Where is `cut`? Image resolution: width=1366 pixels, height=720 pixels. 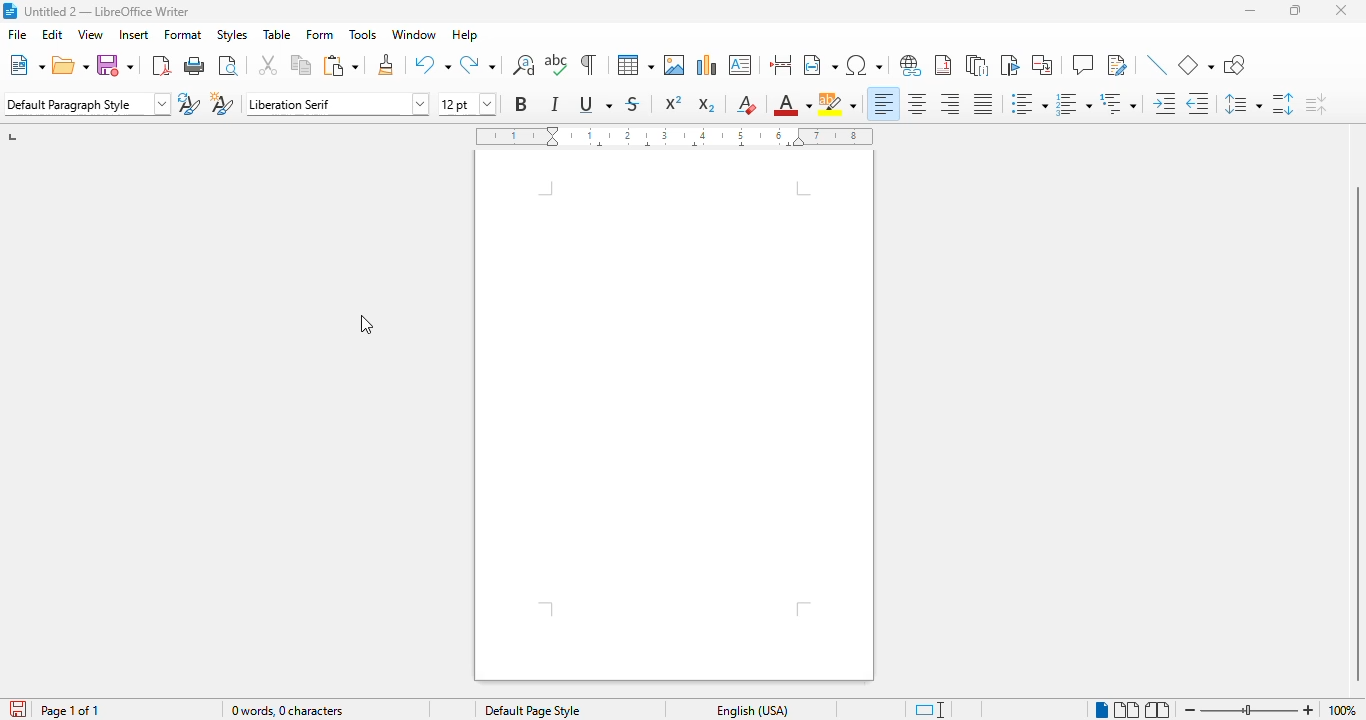
cut is located at coordinates (267, 65).